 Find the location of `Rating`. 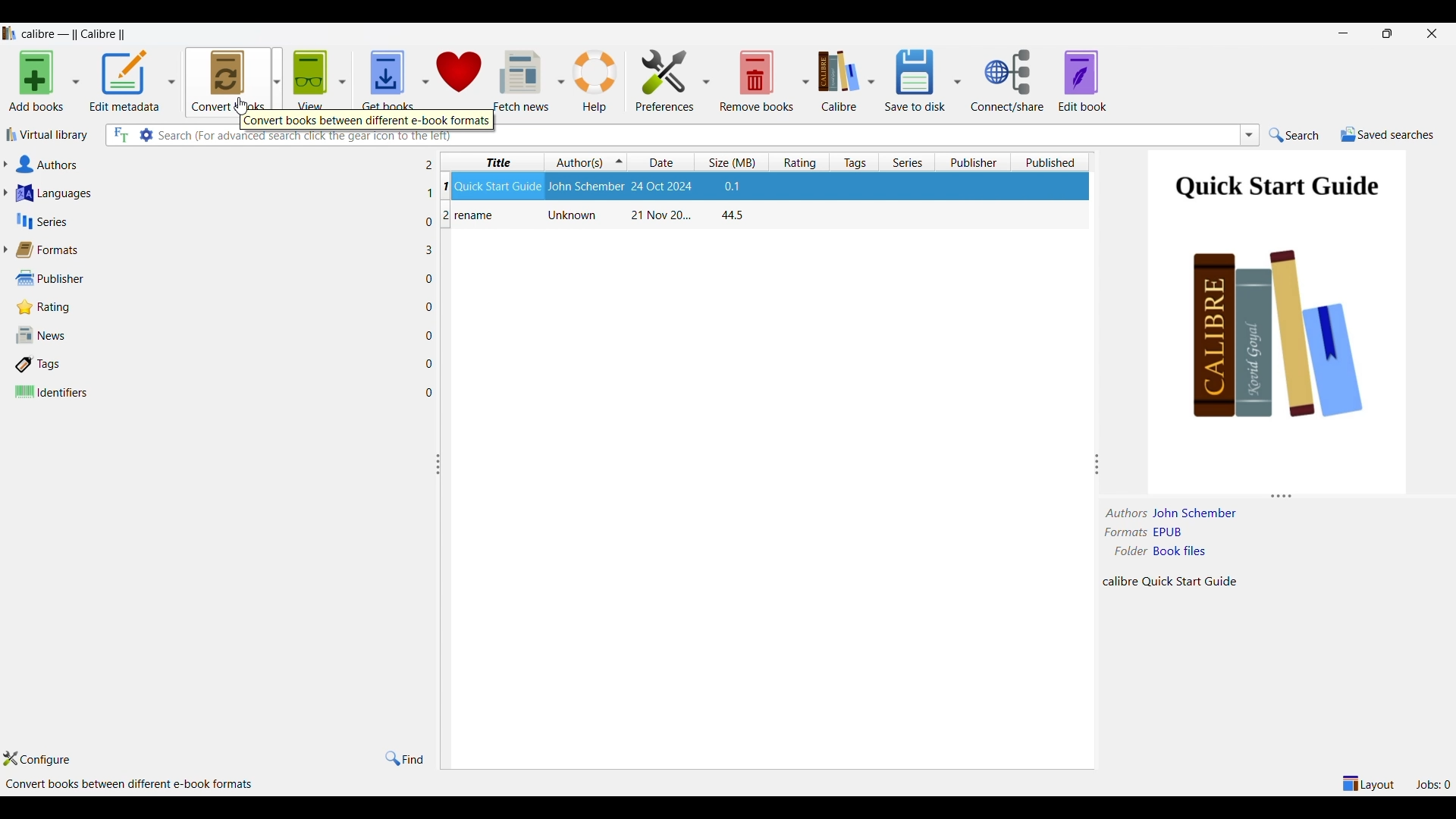

Rating is located at coordinates (218, 308).